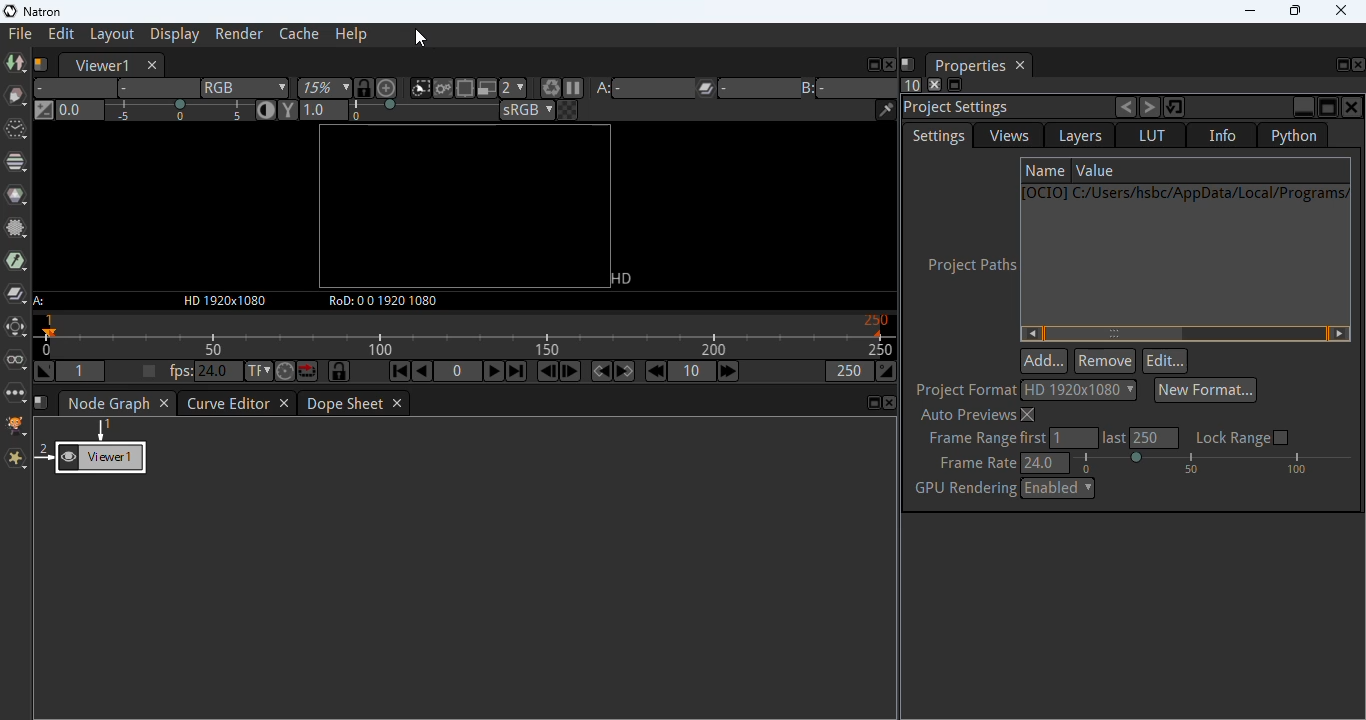  What do you see at coordinates (88, 12) in the screenshot?
I see `title` at bounding box center [88, 12].